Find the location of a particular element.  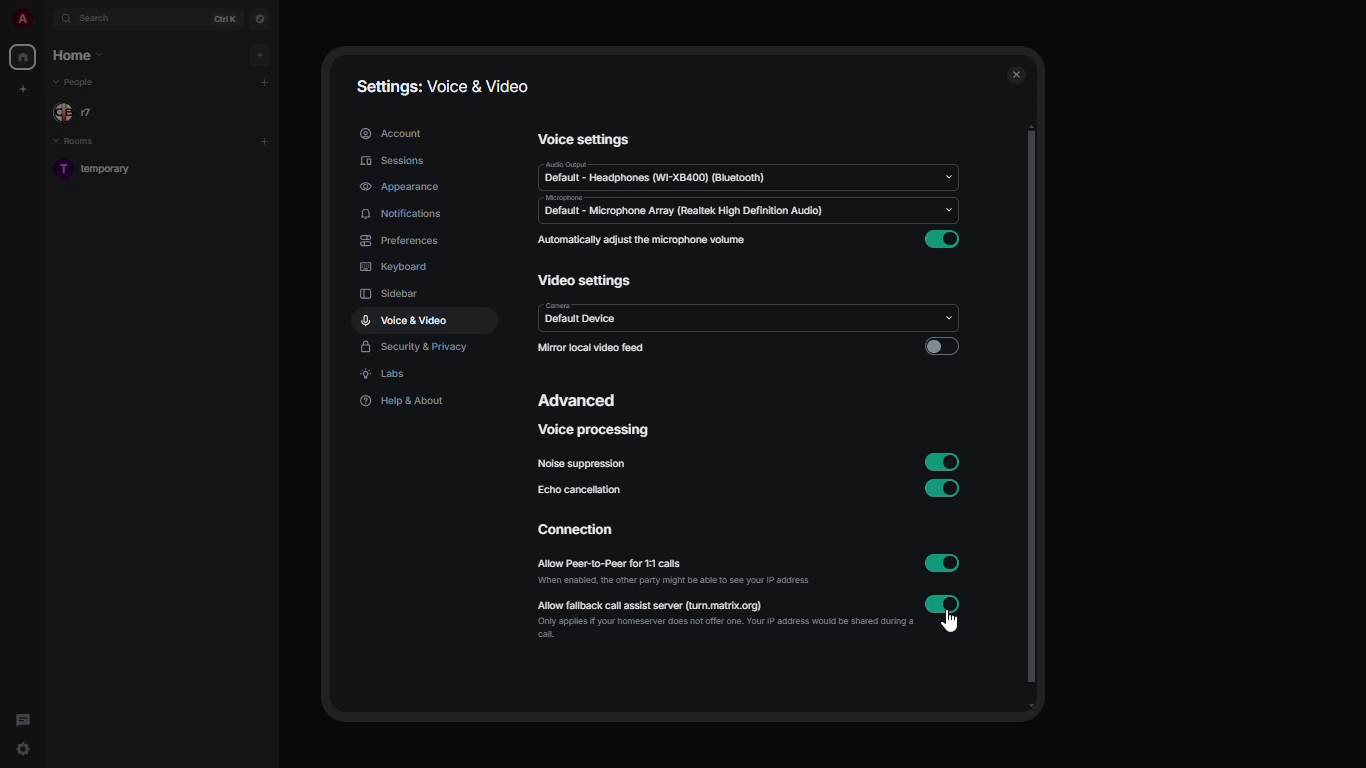

noise suppression is located at coordinates (582, 464).